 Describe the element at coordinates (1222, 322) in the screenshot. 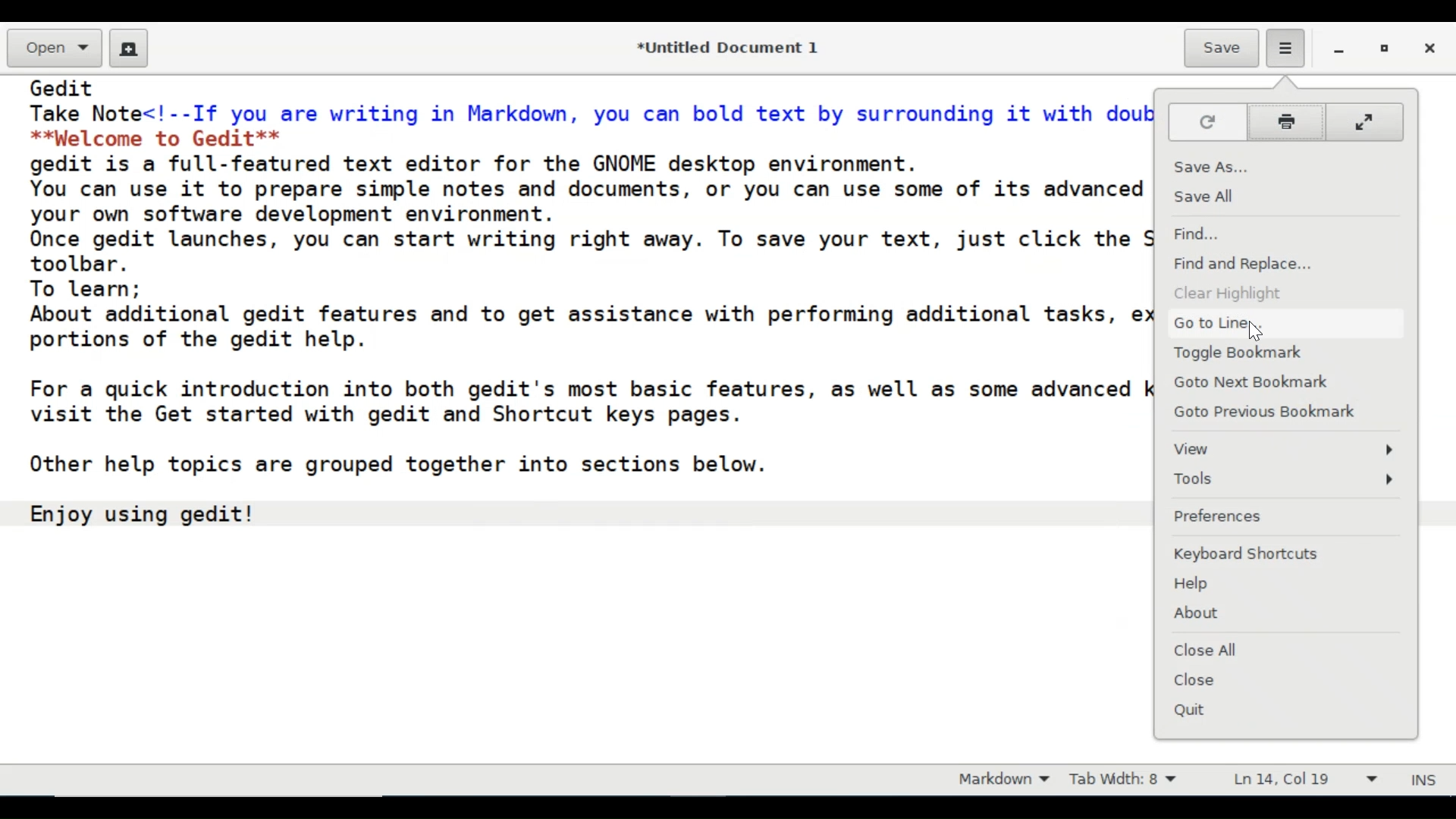

I see `Go to Line` at that location.